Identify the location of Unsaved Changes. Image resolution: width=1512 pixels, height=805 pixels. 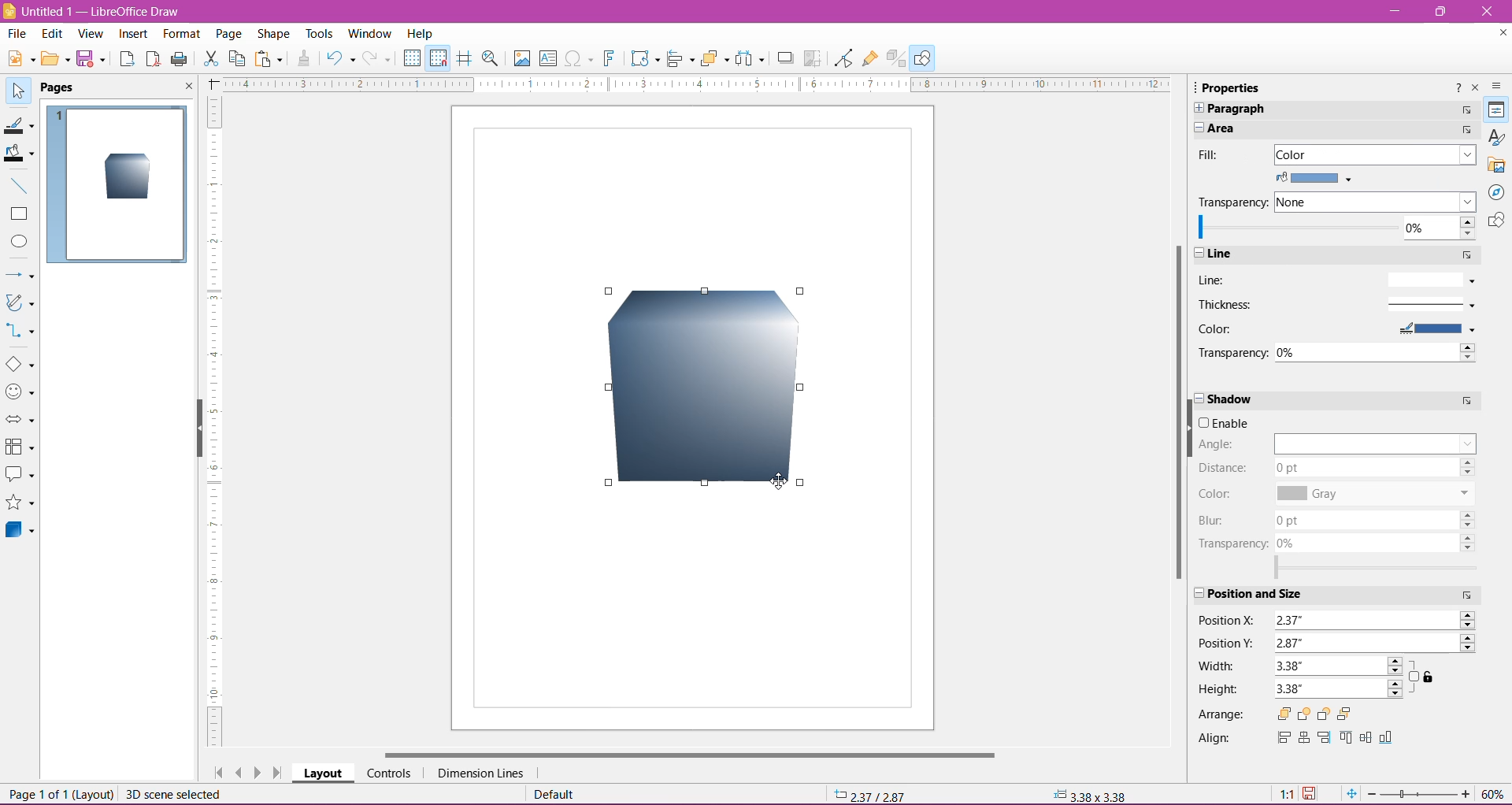
(1311, 795).